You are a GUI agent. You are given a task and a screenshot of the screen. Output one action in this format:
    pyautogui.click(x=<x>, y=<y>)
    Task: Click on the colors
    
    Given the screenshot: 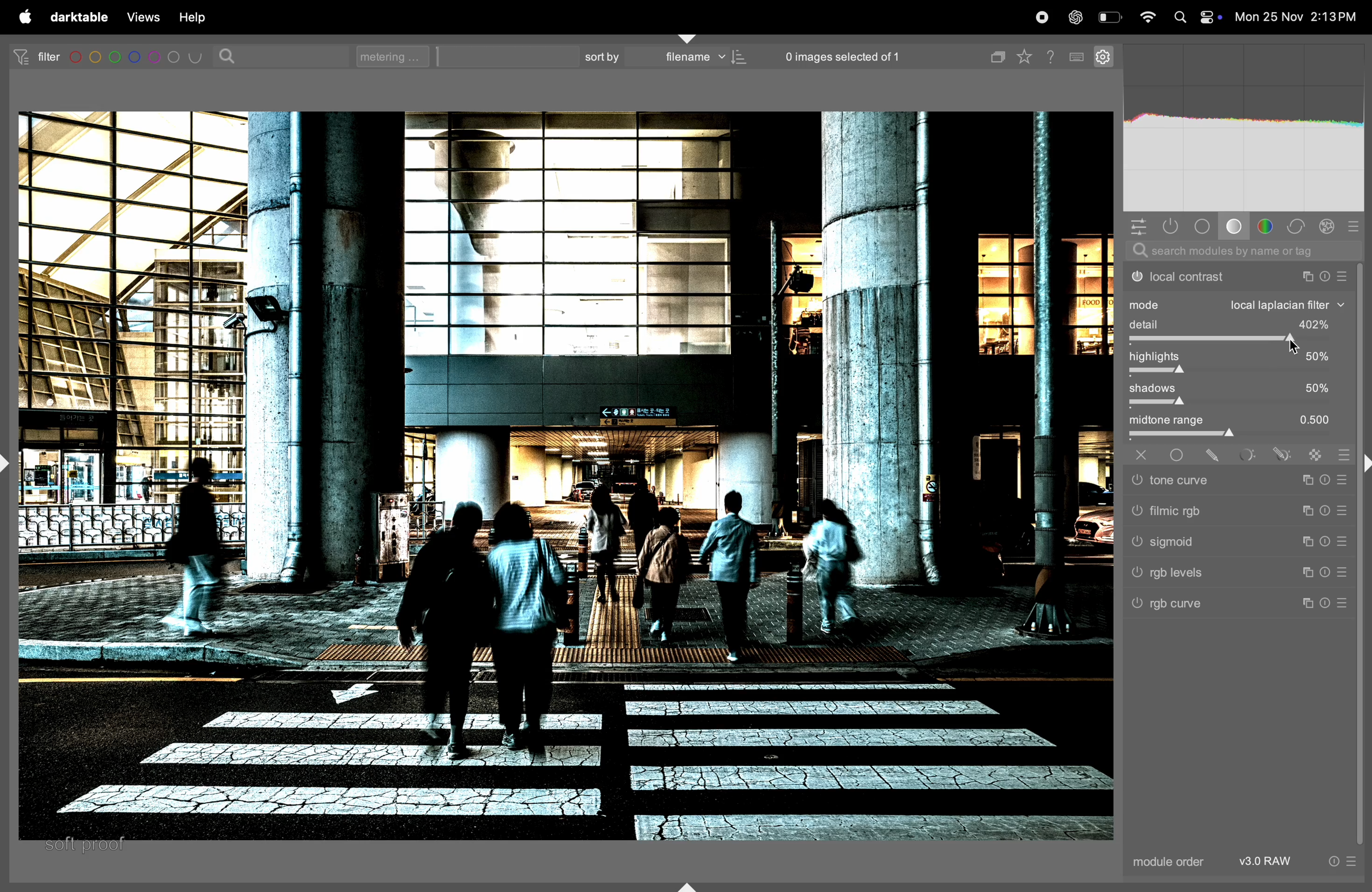 What is the action you would take?
    pyautogui.click(x=1267, y=225)
    